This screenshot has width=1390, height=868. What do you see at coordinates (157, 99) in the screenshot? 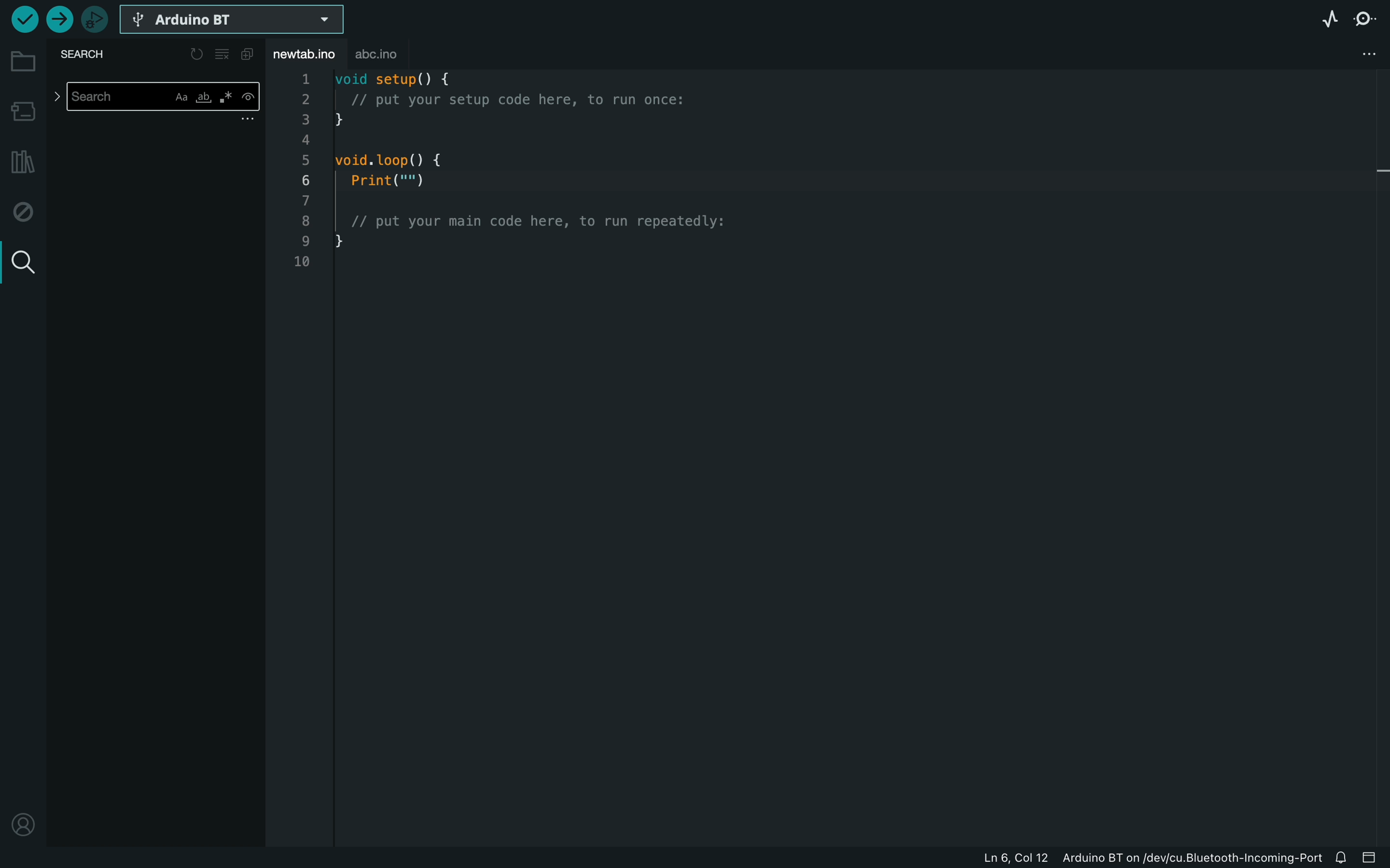
I see `search bar` at bounding box center [157, 99].